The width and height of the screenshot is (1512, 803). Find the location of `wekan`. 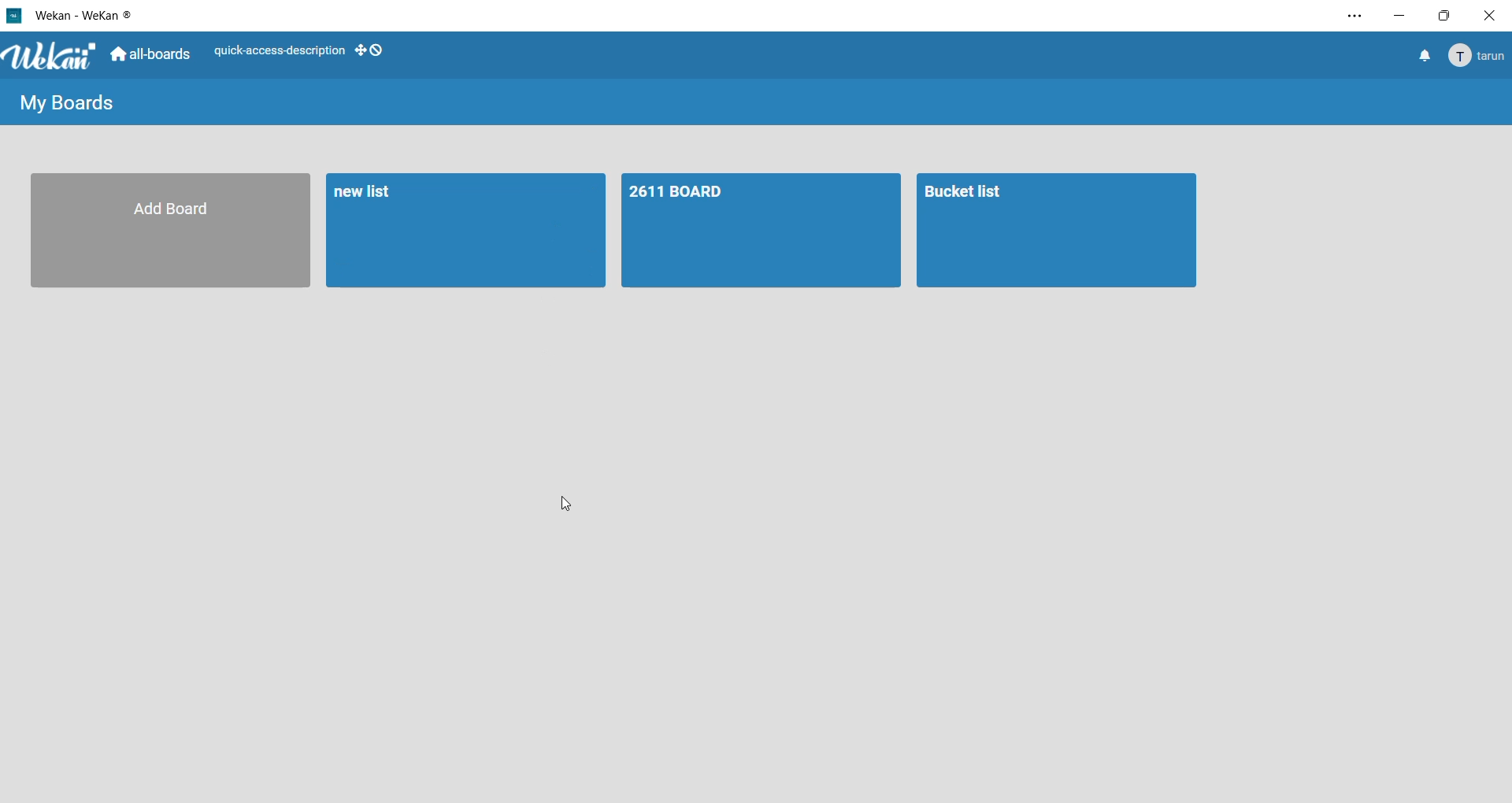

wekan is located at coordinates (54, 57).